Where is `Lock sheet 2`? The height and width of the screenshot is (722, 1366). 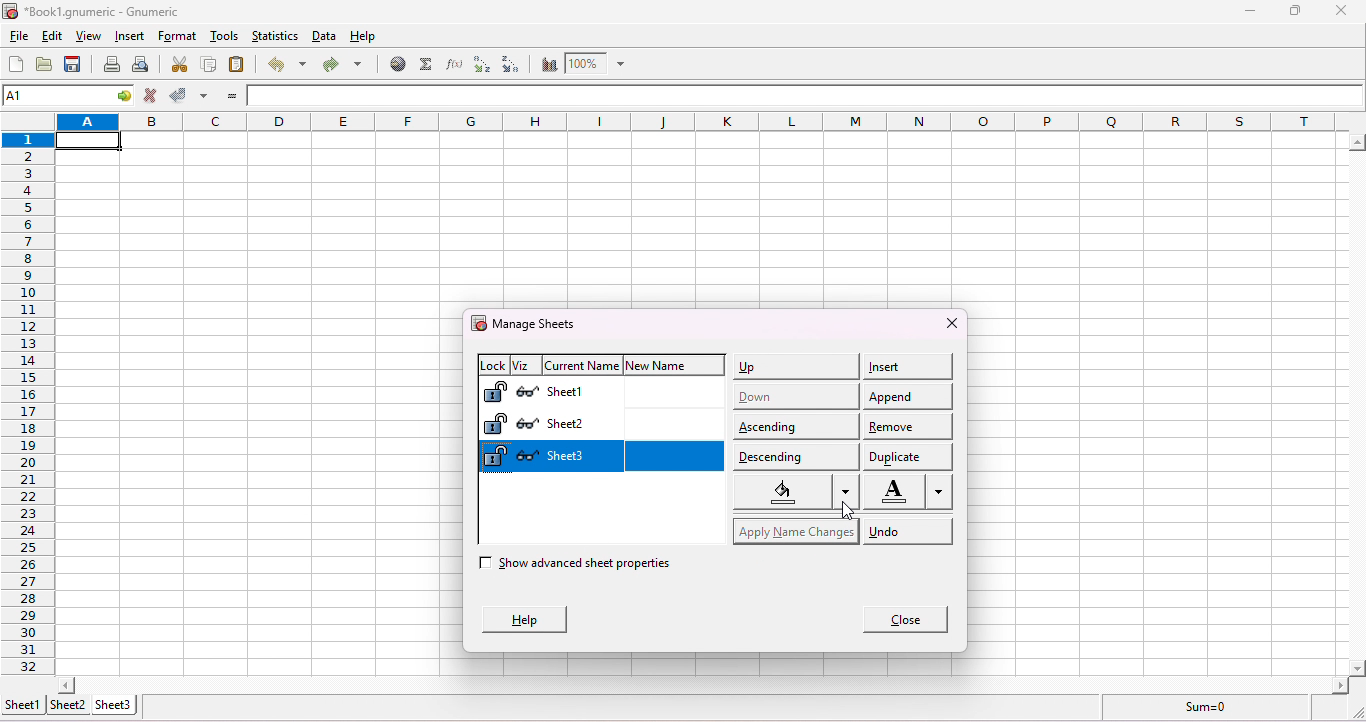 Lock sheet 2 is located at coordinates (495, 424).